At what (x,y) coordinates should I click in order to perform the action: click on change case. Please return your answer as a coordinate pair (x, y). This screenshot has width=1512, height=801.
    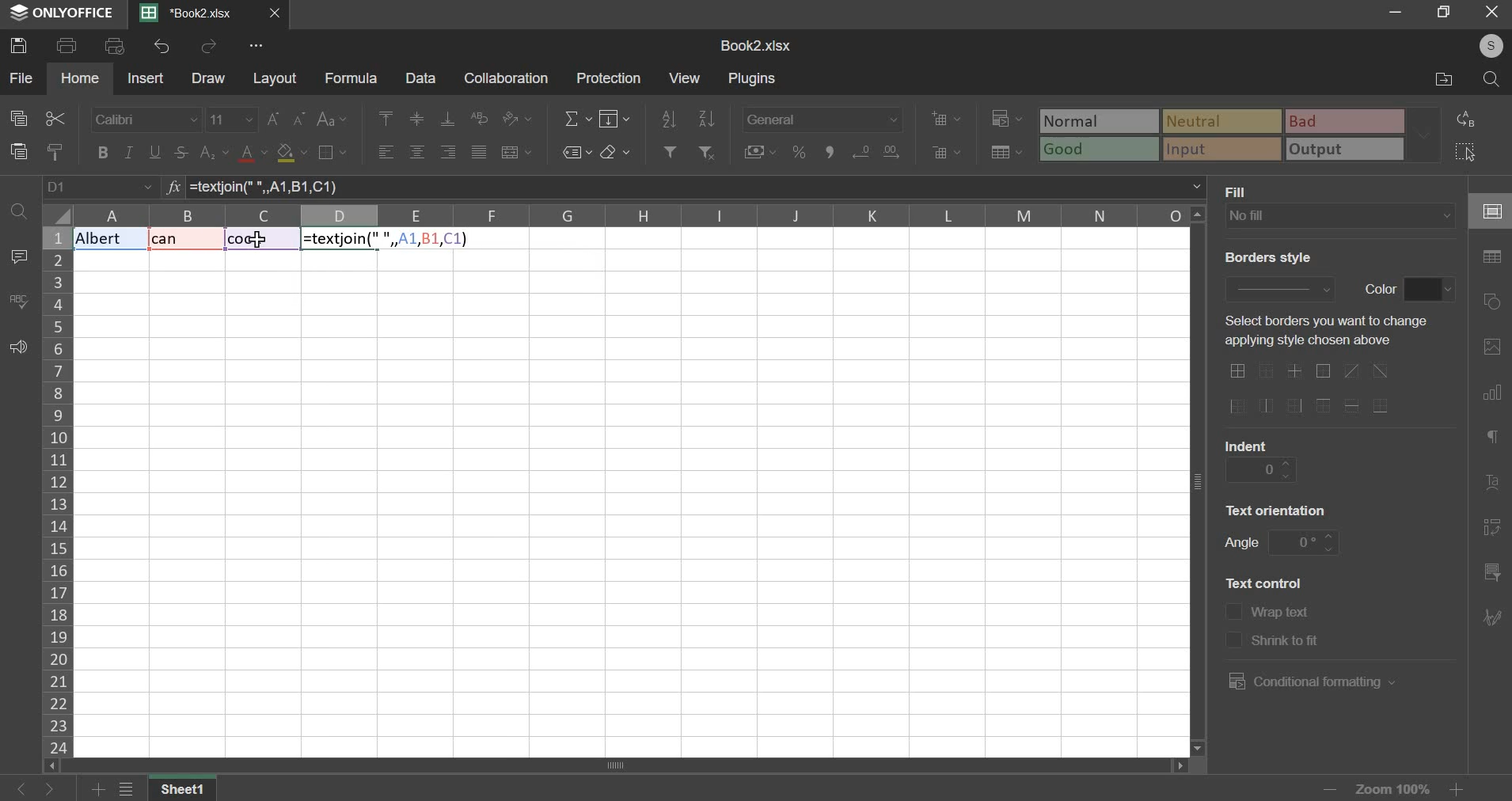
    Looking at the image, I should click on (331, 120).